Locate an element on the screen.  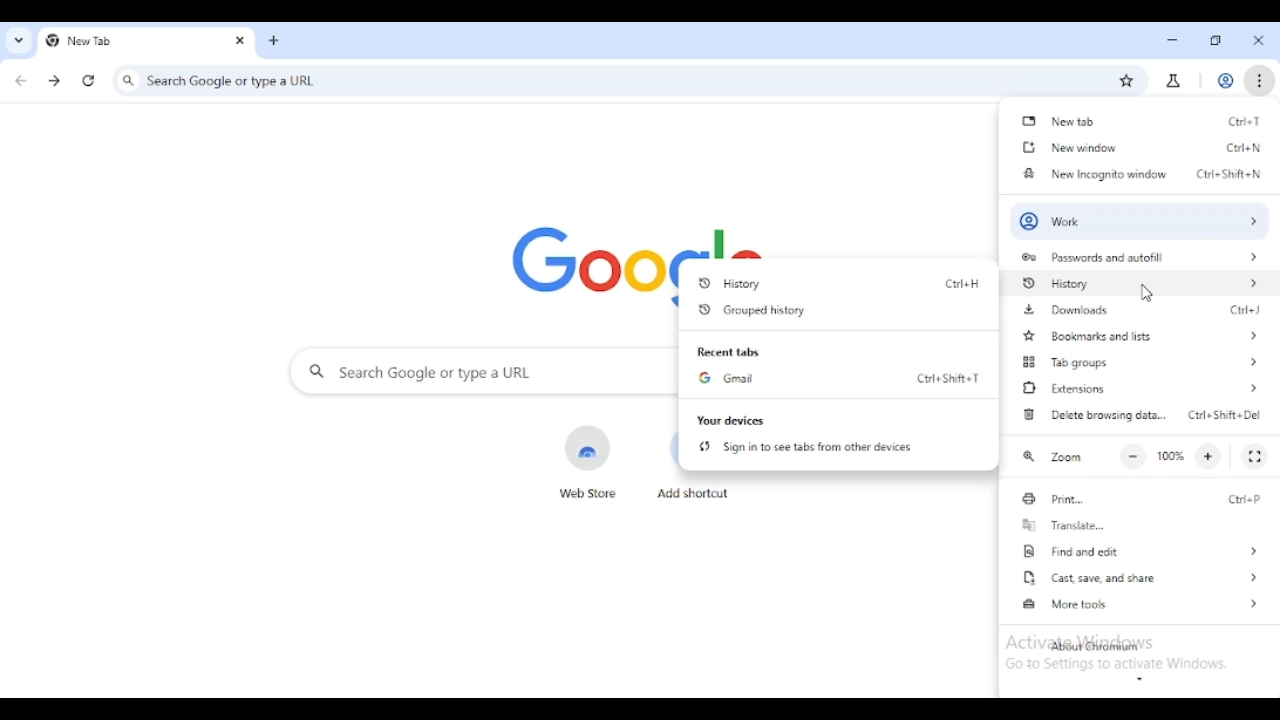
history is located at coordinates (1137, 283).